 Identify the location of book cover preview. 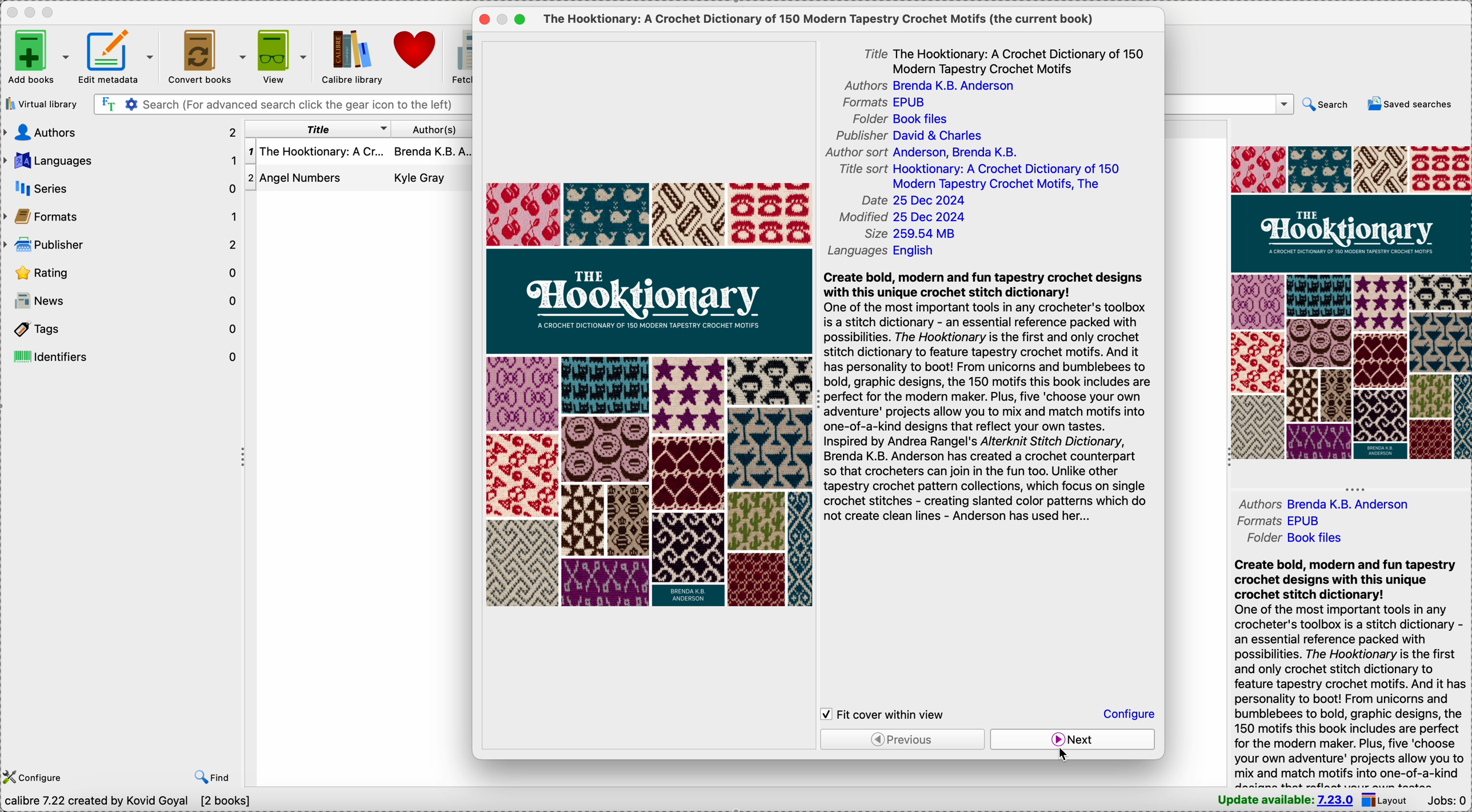
(1351, 302).